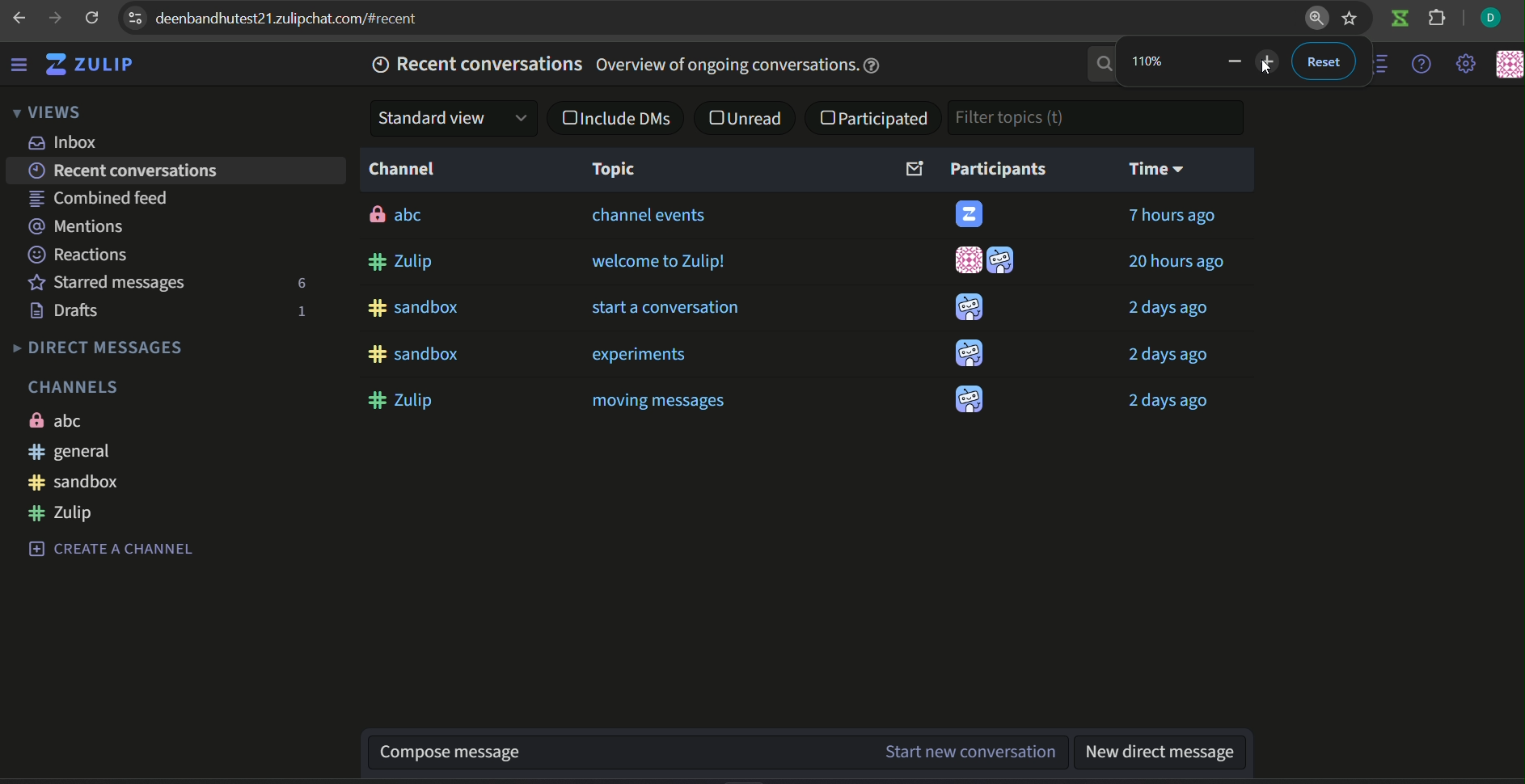 Image resolution: width=1525 pixels, height=784 pixels. Describe the element at coordinates (74, 384) in the screenshot. I see `CHANNELS` at that location.